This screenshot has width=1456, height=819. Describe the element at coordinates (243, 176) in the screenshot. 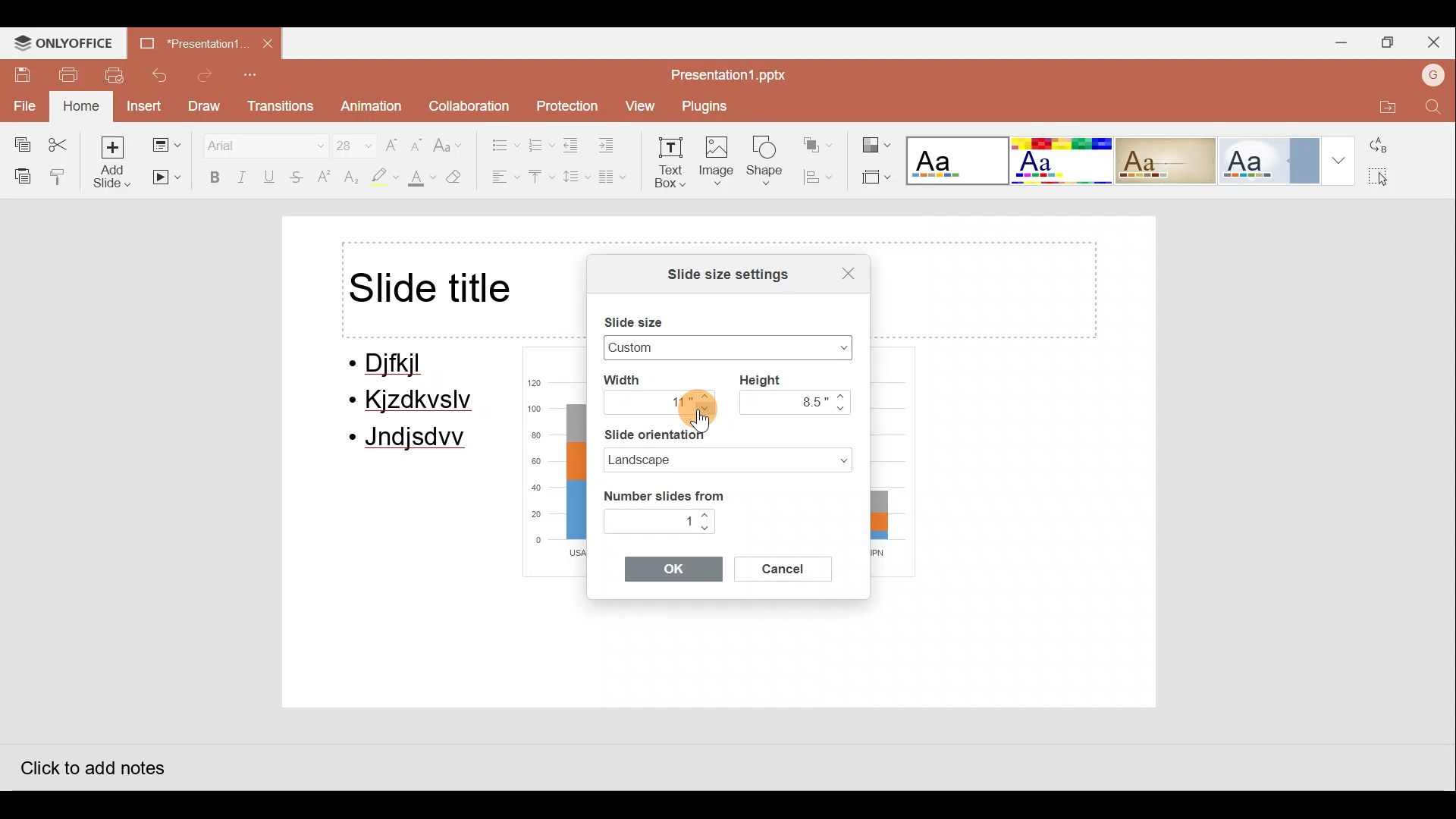

I see `Italic` at that location.